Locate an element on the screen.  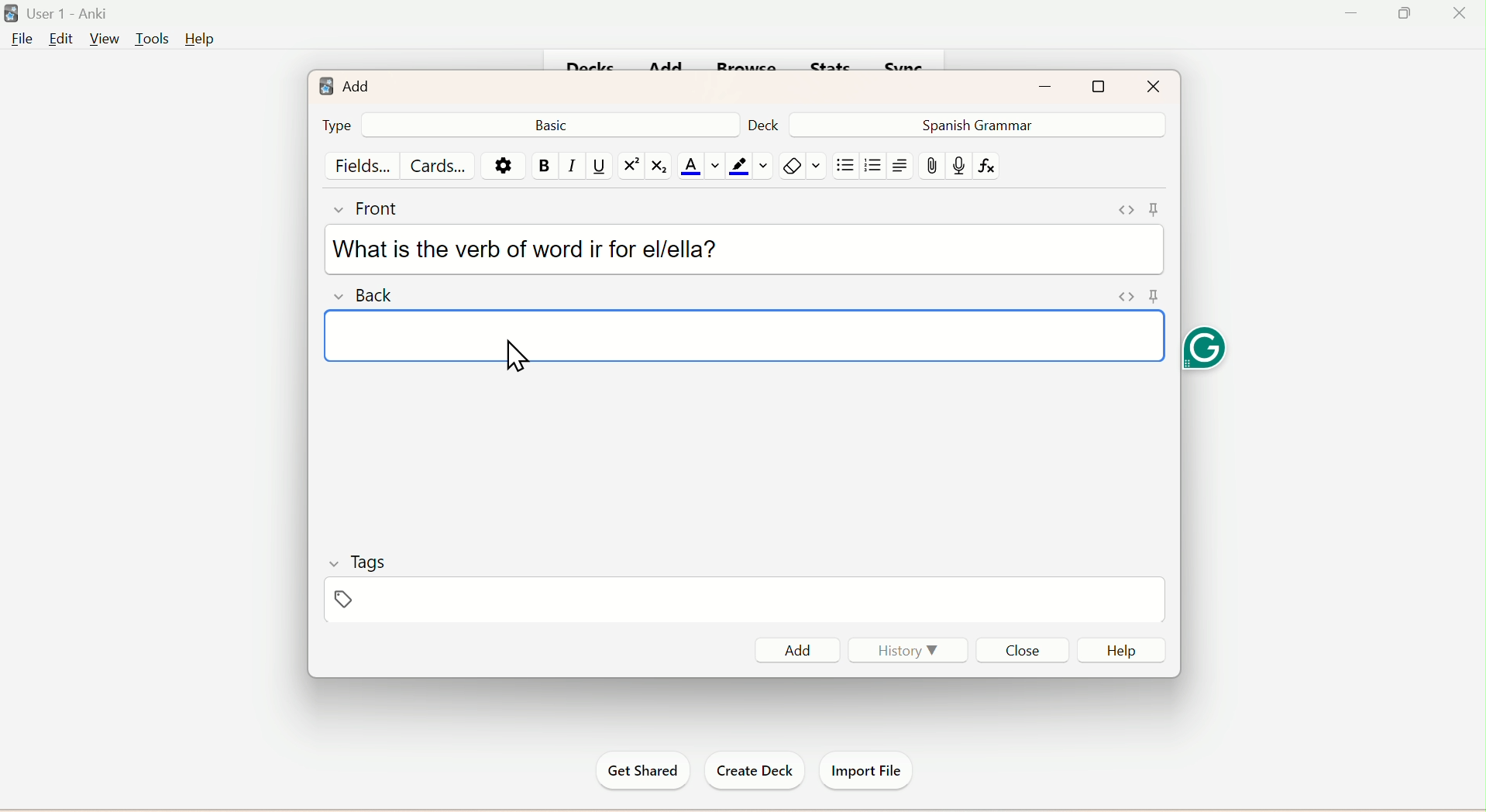
Italiac is located at coordinates (573, 166).